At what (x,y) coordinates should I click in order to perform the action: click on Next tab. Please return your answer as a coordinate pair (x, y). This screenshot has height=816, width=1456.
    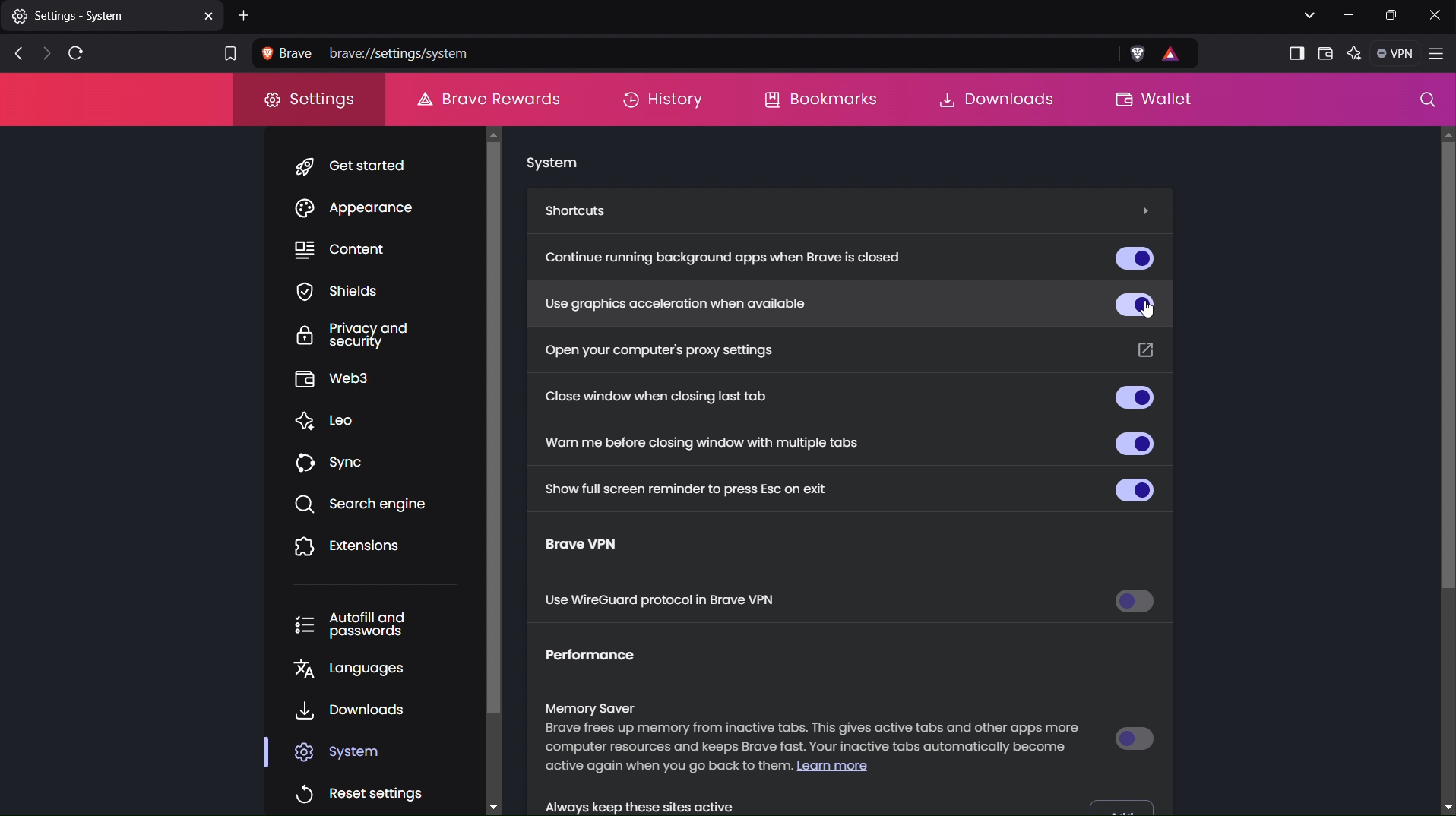
    Looking at the image, I should click on (45, 54).